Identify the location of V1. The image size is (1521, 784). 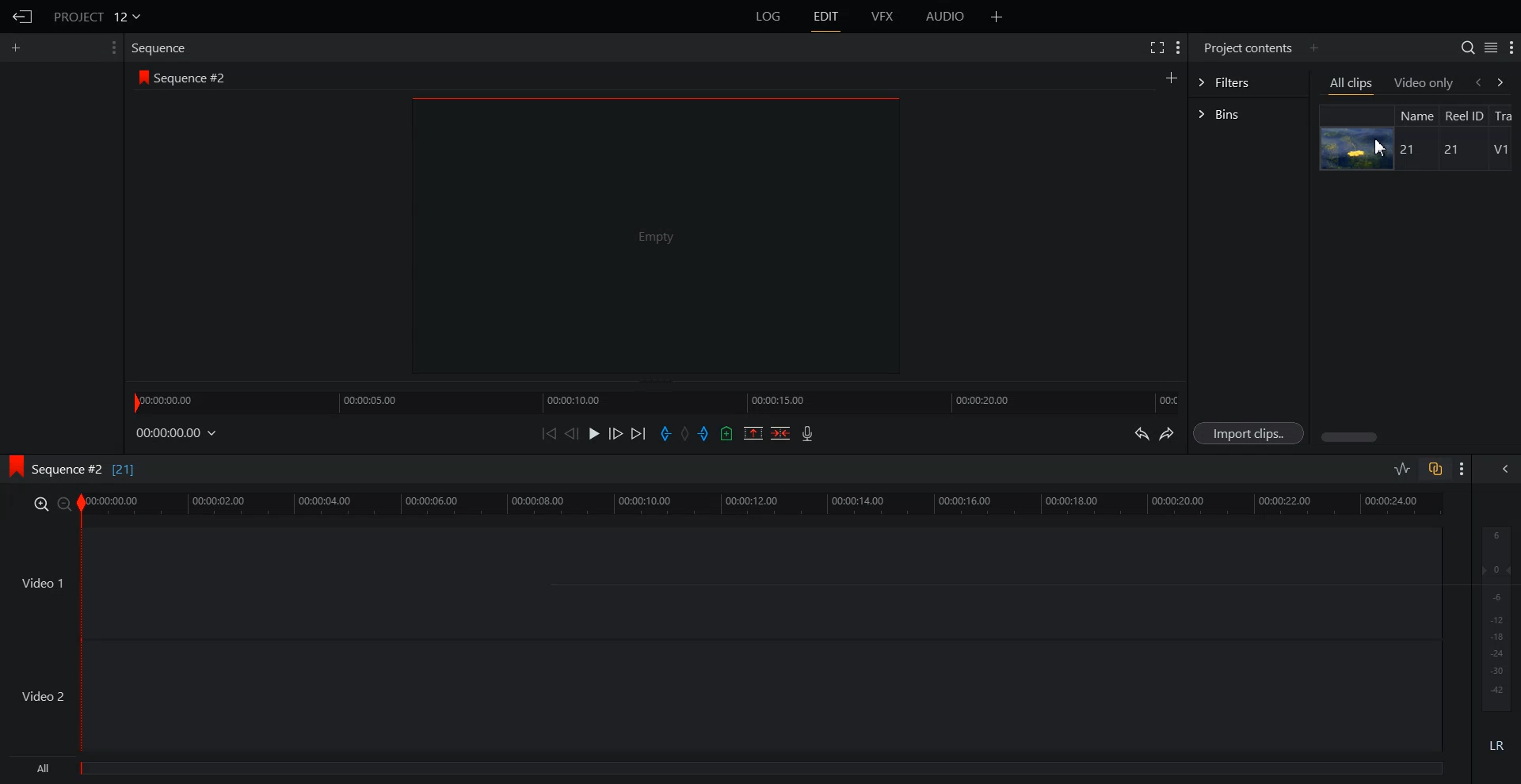
(1500, 150).